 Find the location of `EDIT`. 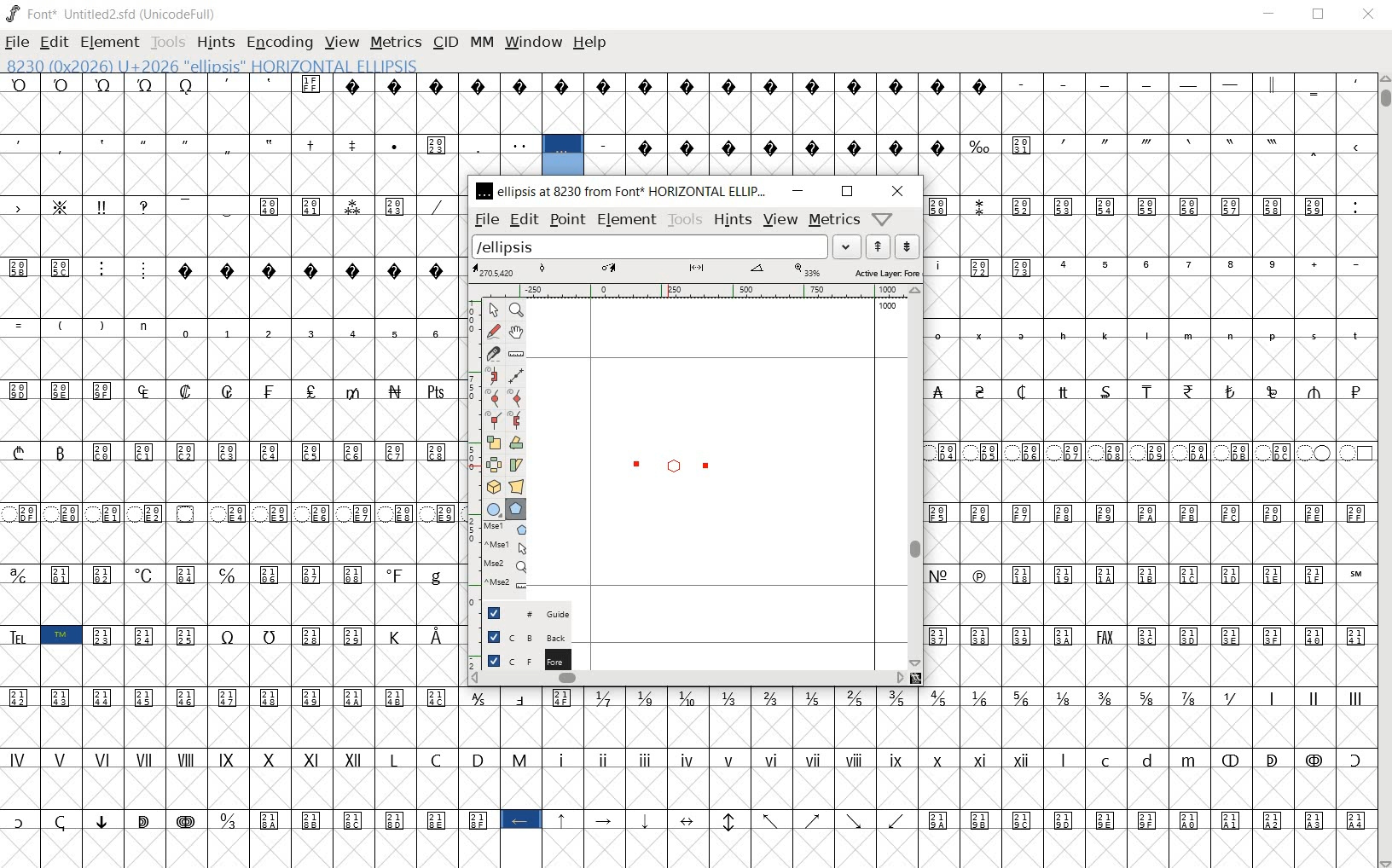

EDIT is located at coordinates (56, 42).